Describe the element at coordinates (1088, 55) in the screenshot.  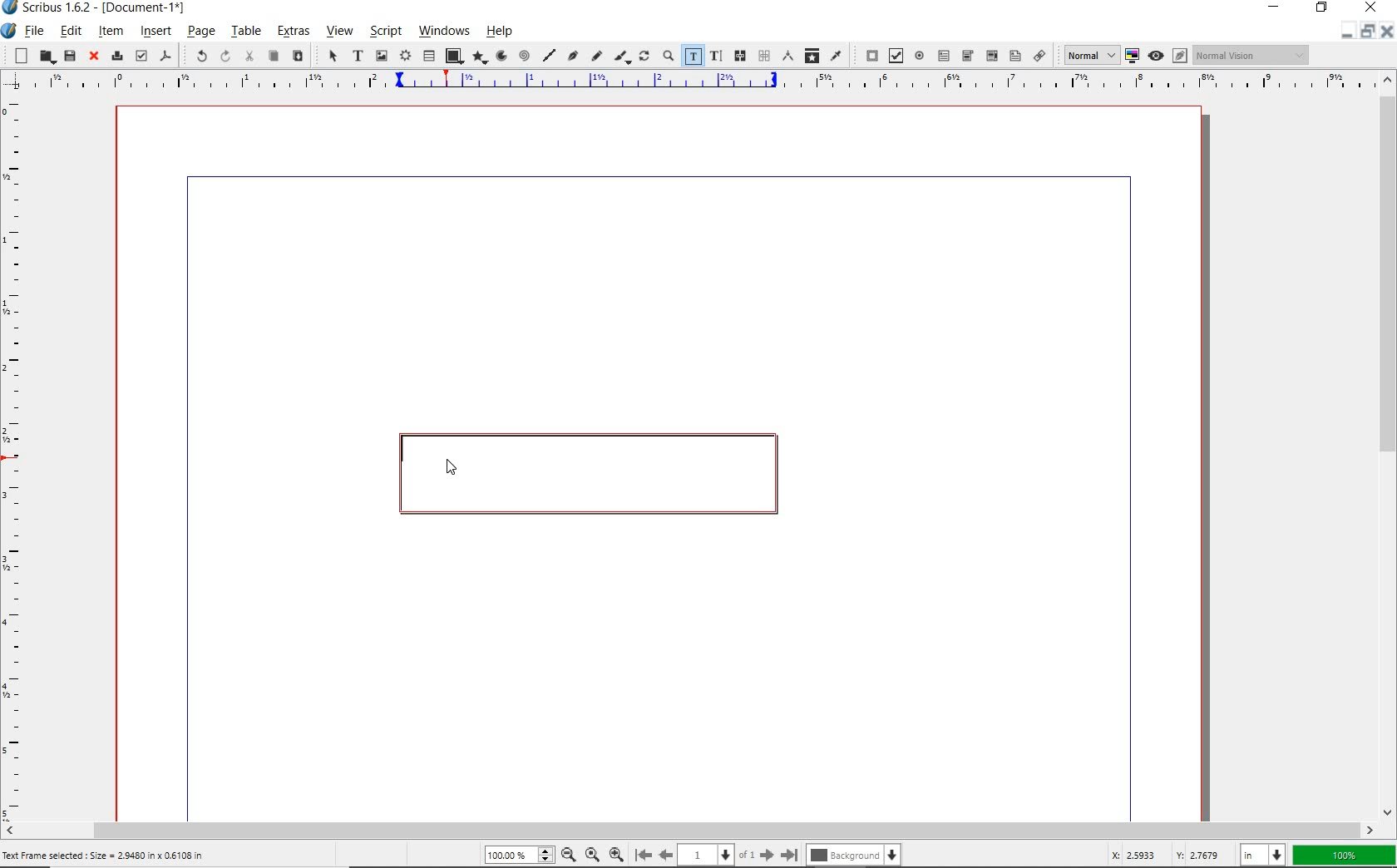
I see `normal` at that location.